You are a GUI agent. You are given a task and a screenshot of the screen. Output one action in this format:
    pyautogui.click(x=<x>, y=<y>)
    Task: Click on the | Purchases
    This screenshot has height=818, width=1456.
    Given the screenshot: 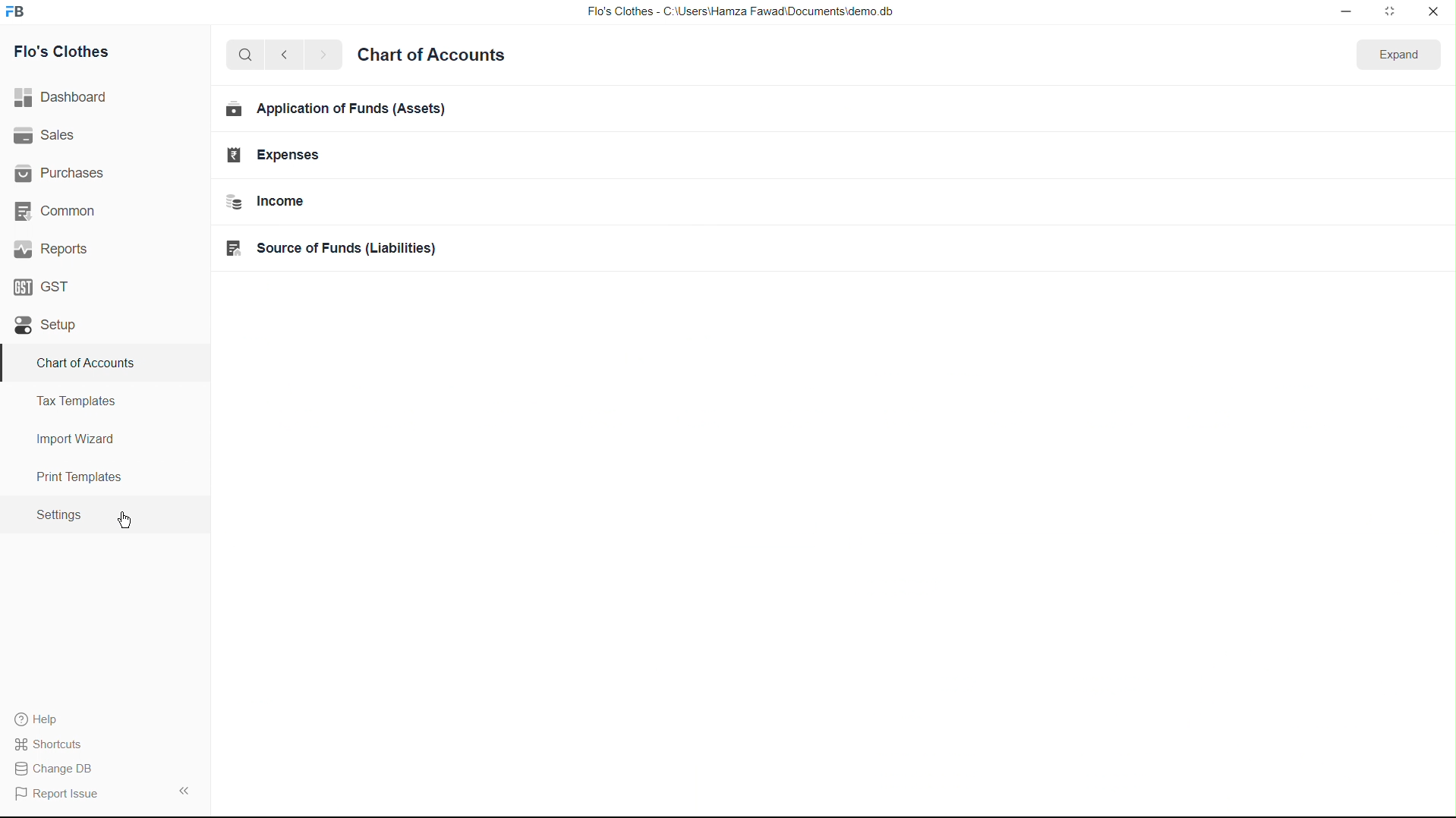 What is the action you would take?
    pyautogui.click(x=66, y=171)
    